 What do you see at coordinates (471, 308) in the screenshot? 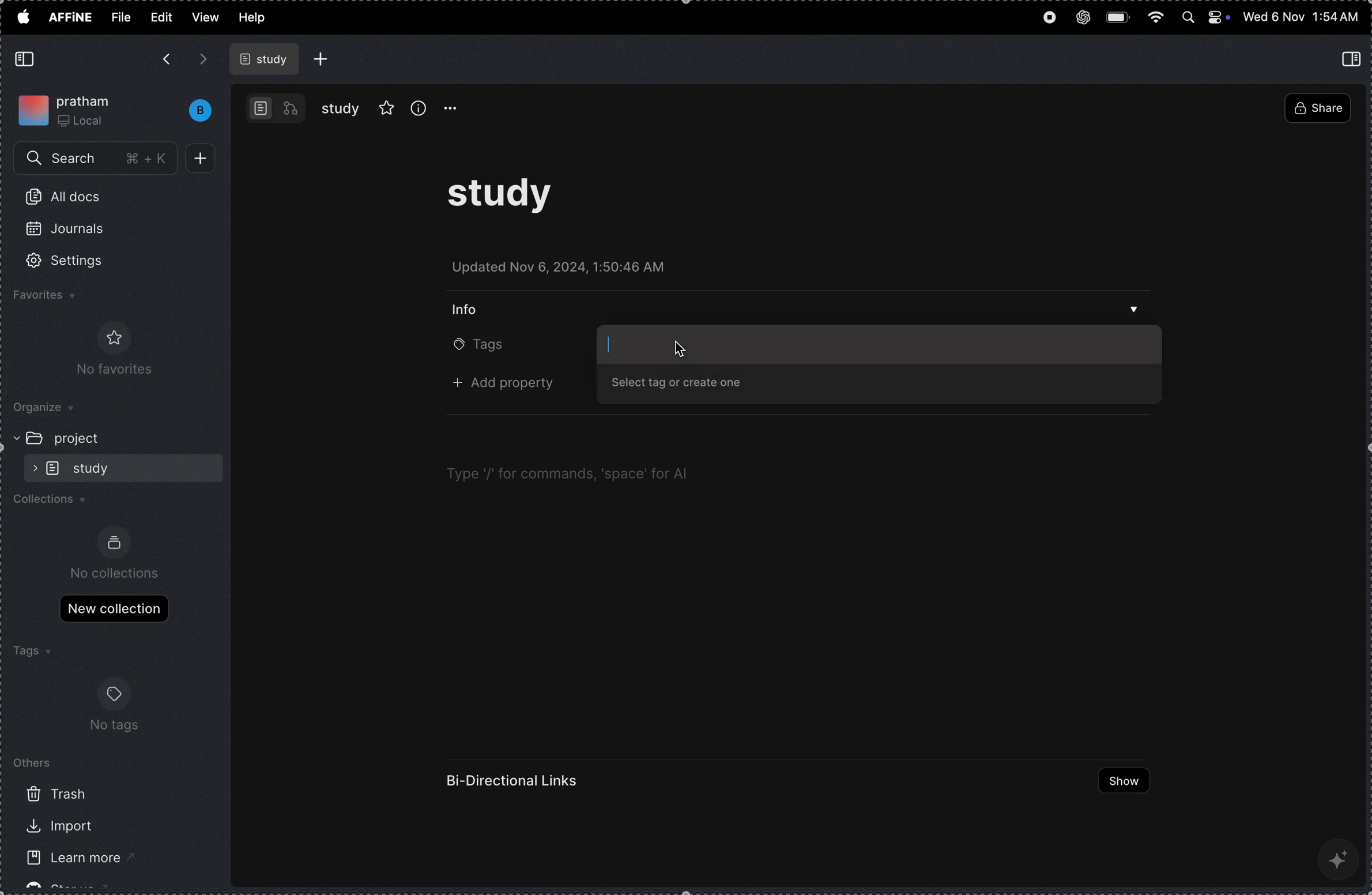
I see `info` at bounding box center [471, 308].